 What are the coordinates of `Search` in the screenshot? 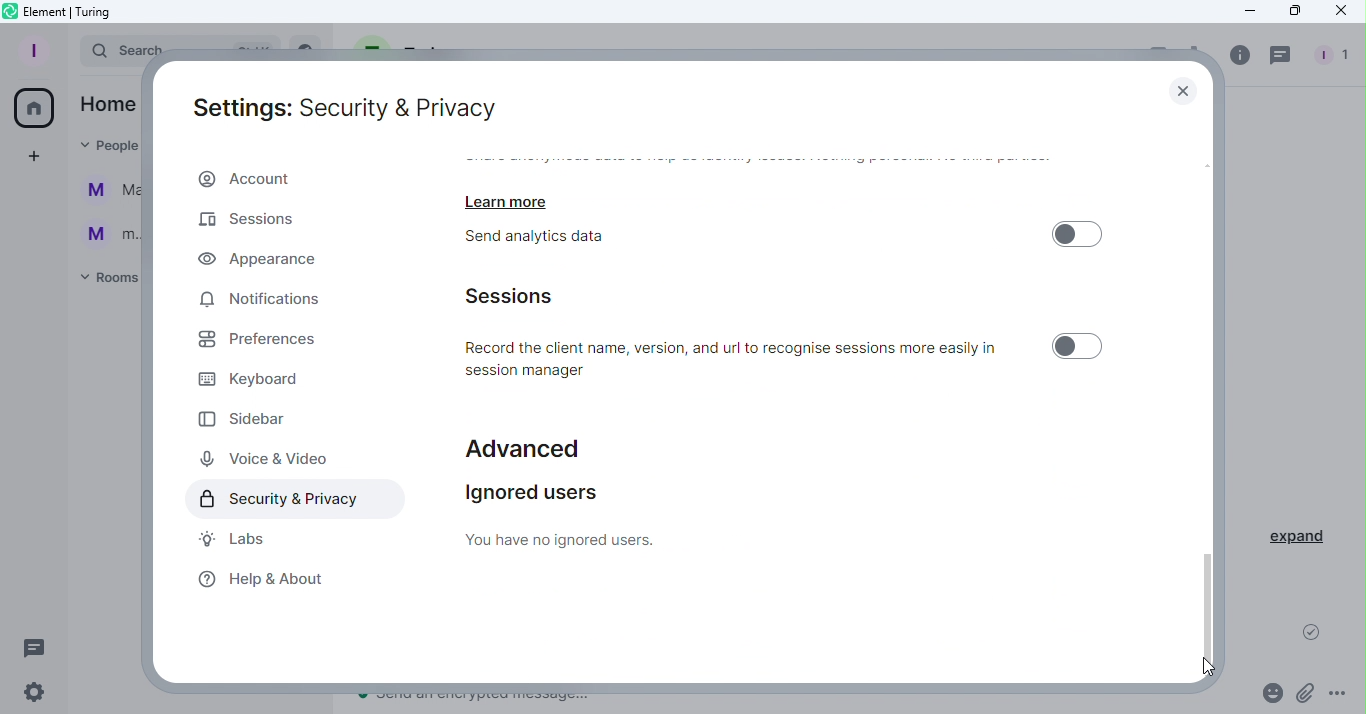 It's located at (109, 52).